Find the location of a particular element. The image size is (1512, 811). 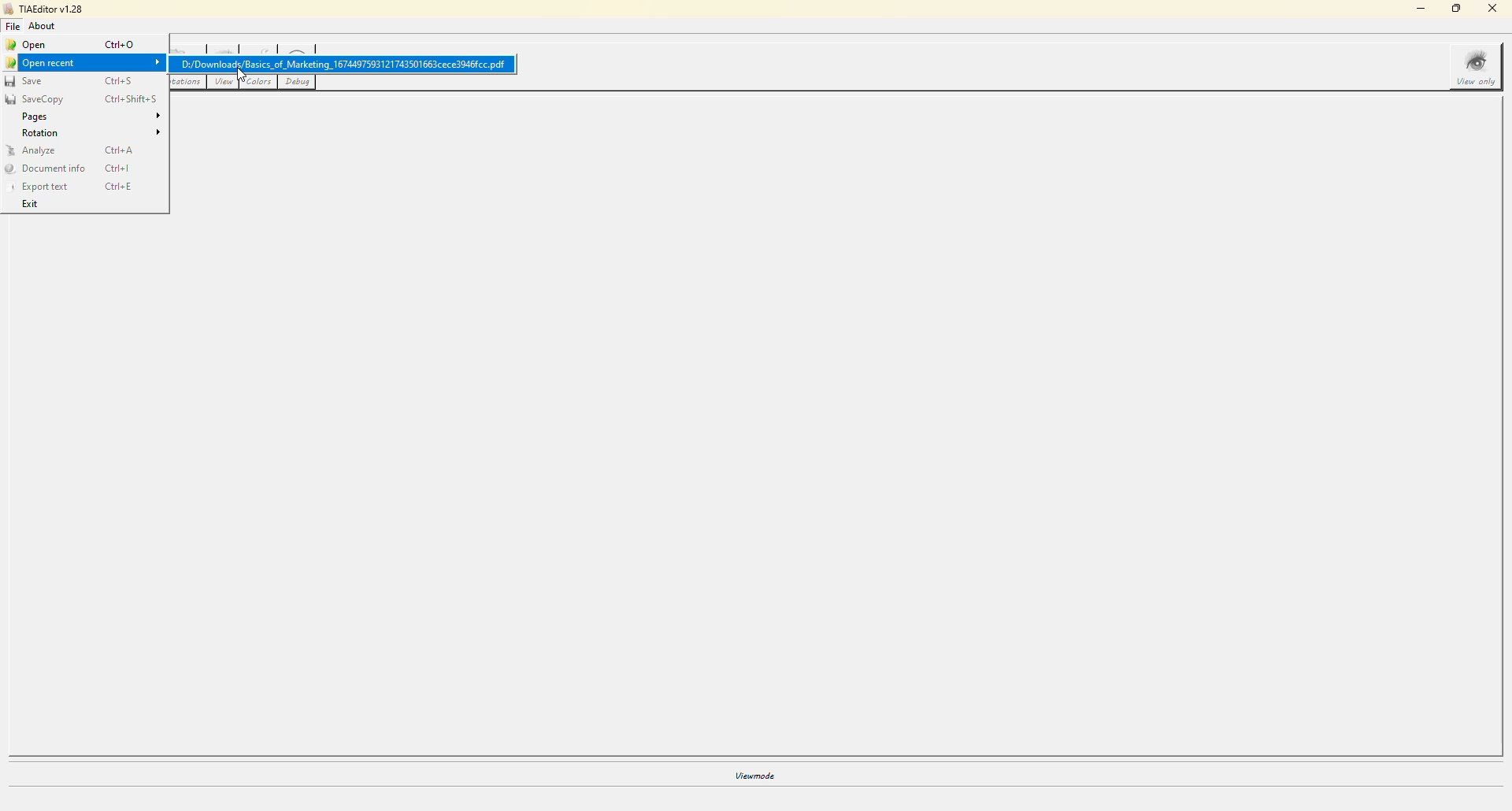

expand is located at coordinates (159, 131).